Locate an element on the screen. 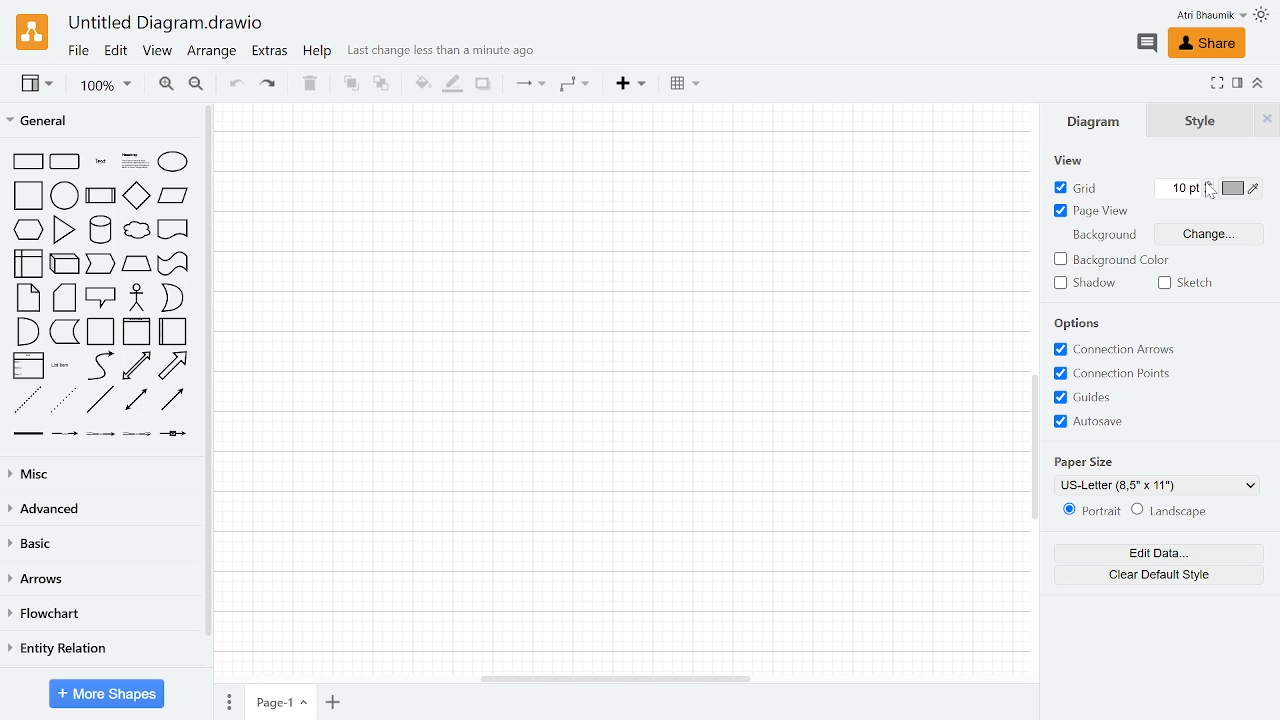 The image size is (1280, 720). Page view is located at coordinates (1088, 213).